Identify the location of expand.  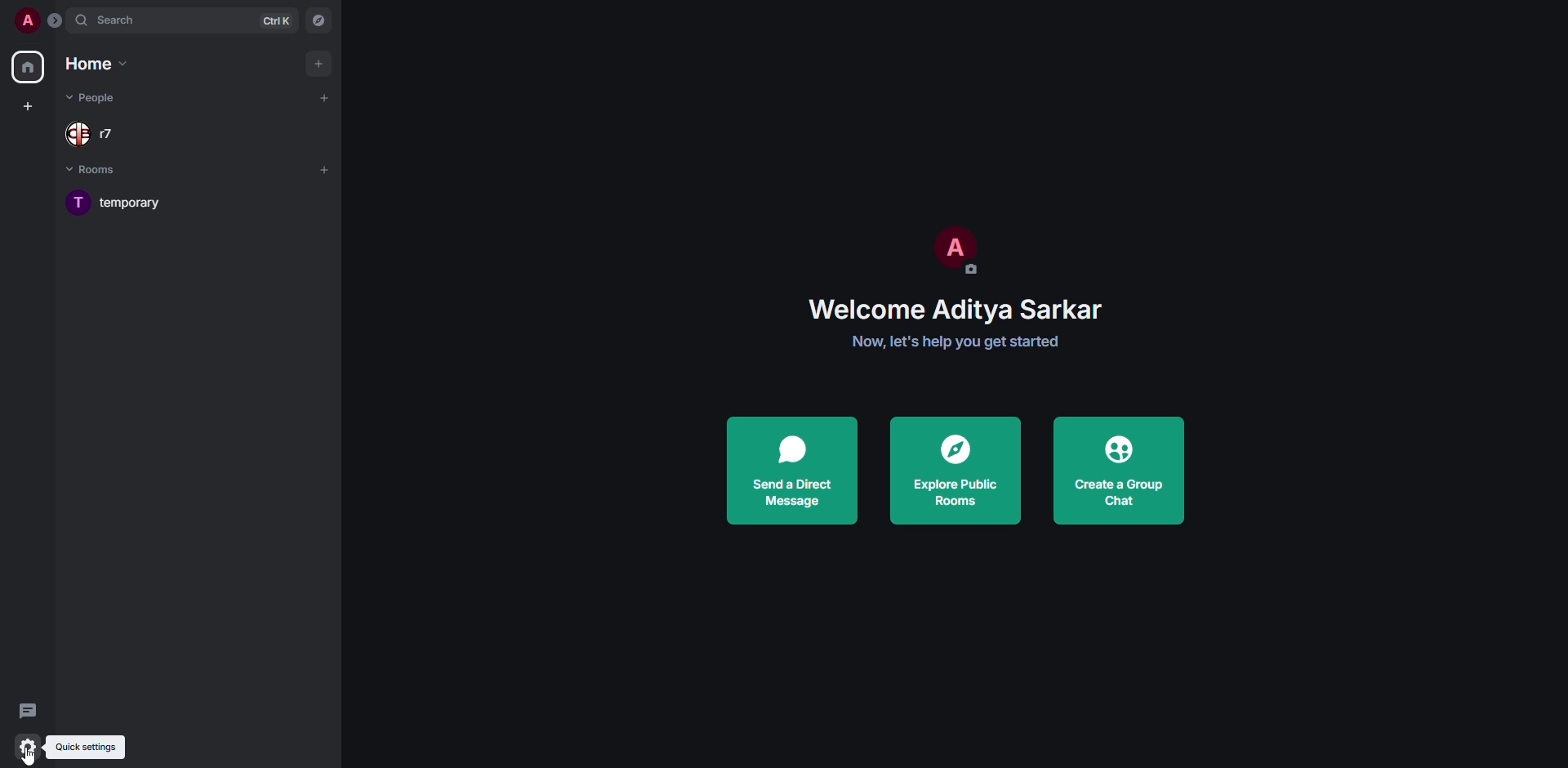
(56, 21).